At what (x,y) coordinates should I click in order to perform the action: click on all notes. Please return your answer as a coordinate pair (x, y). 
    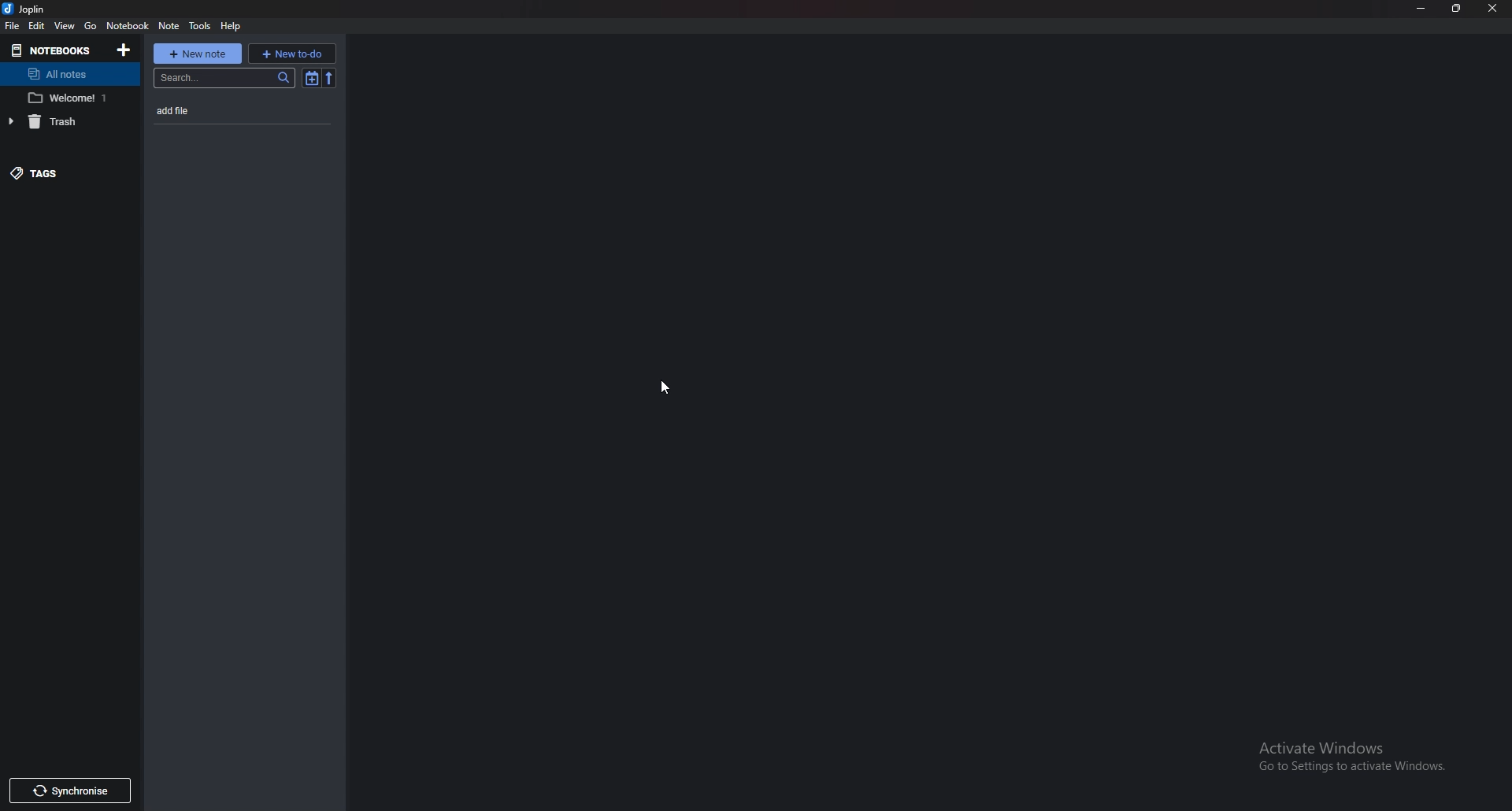
    Looking at the image, I should click on (71, 74).